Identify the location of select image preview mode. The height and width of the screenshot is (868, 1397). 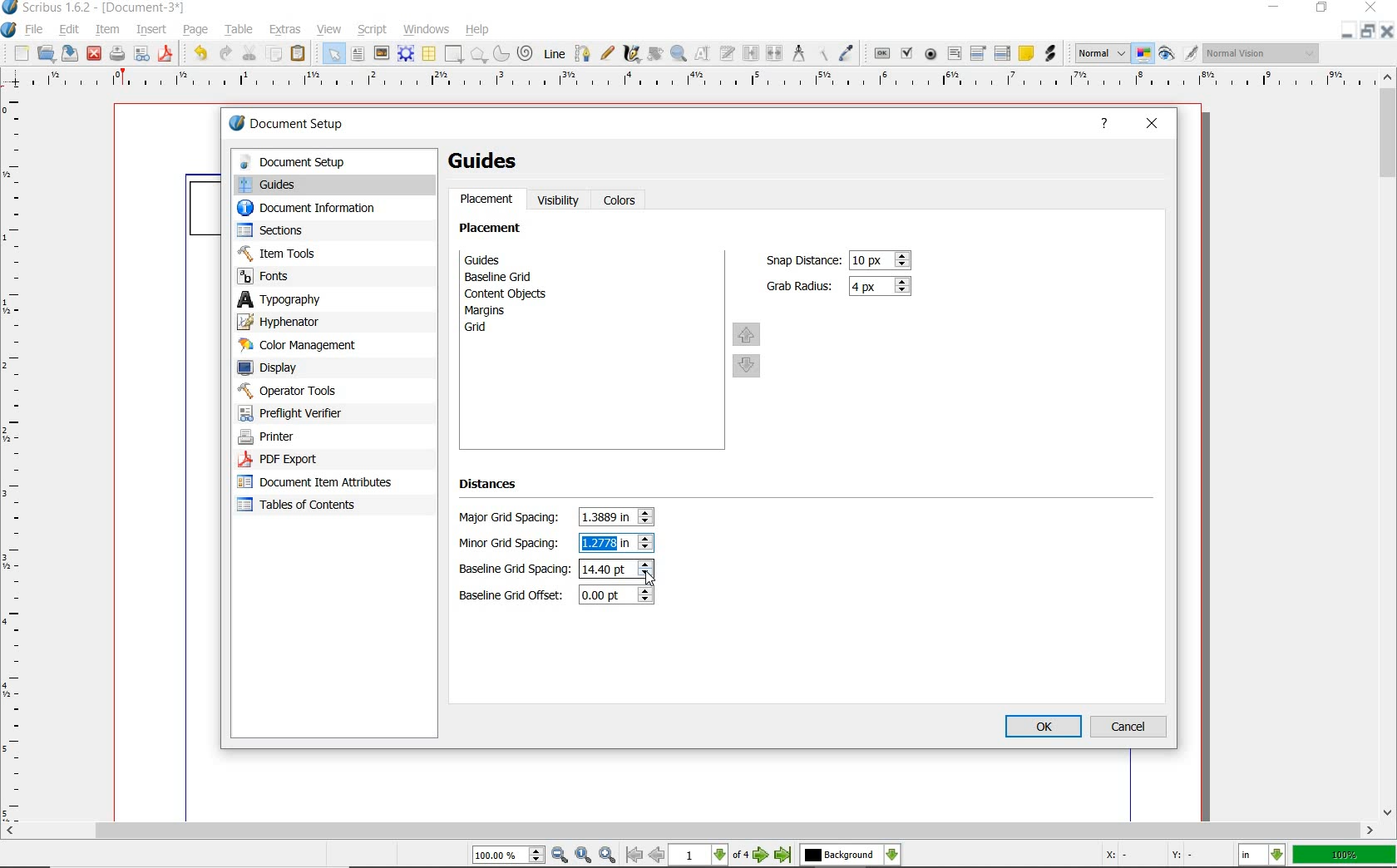
(1102, 52).